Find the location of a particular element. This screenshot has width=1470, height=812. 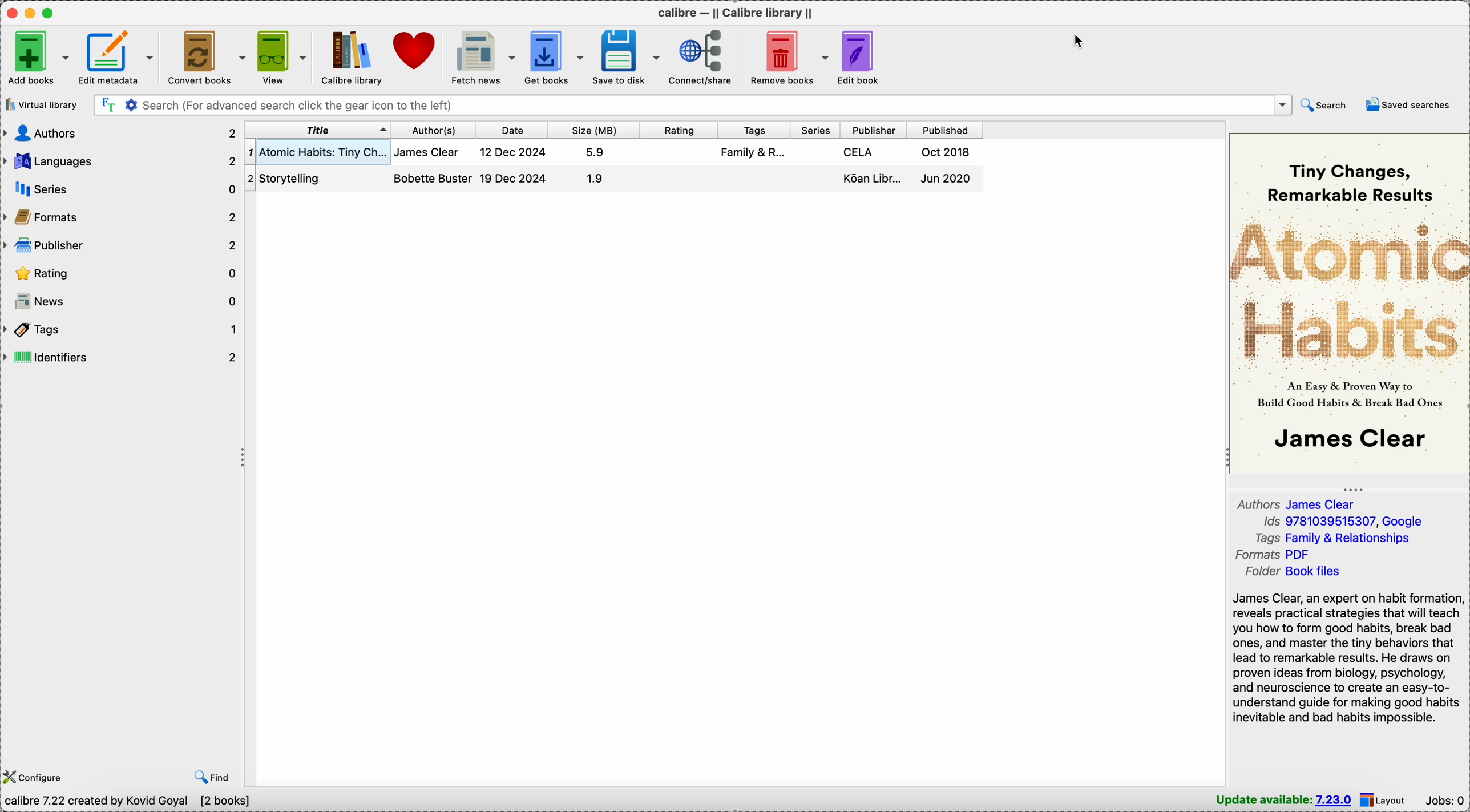

series is located at coordinates (811, 130).